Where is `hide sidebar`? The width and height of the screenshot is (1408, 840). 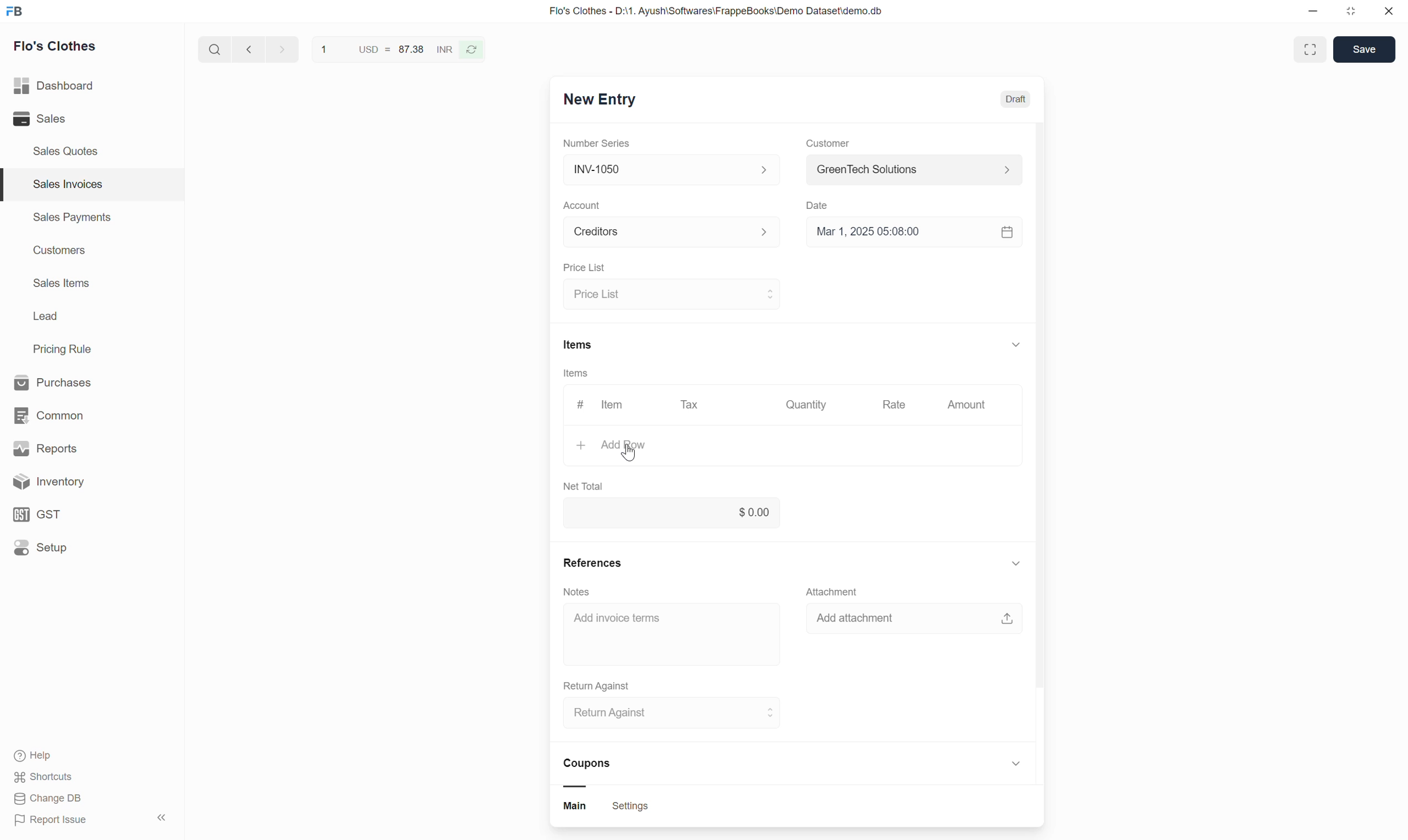
hide sidebar is located at coordinates (163, 818).